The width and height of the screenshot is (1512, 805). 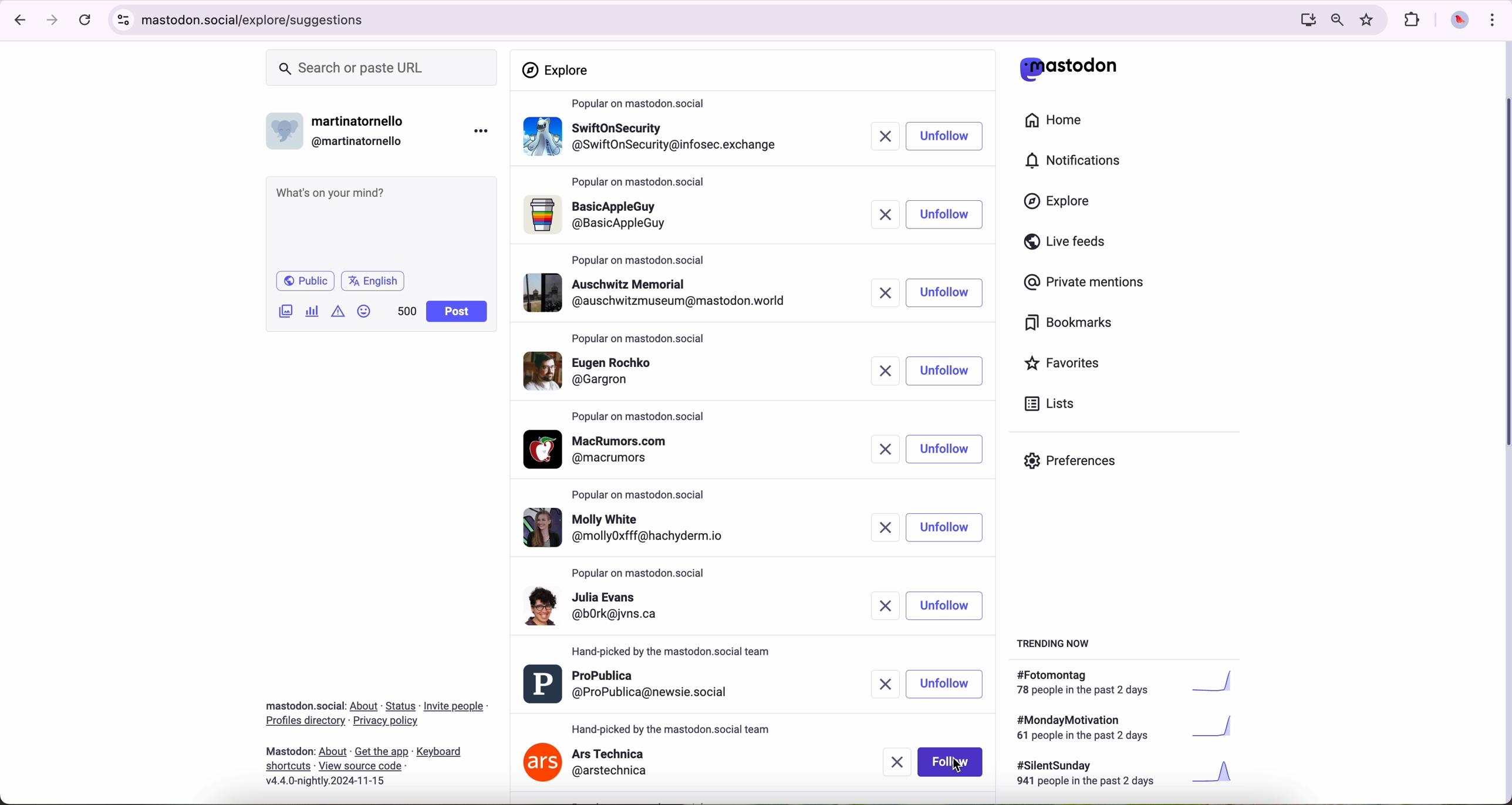 I want to click on preferences, so click(x=1079, y=465).